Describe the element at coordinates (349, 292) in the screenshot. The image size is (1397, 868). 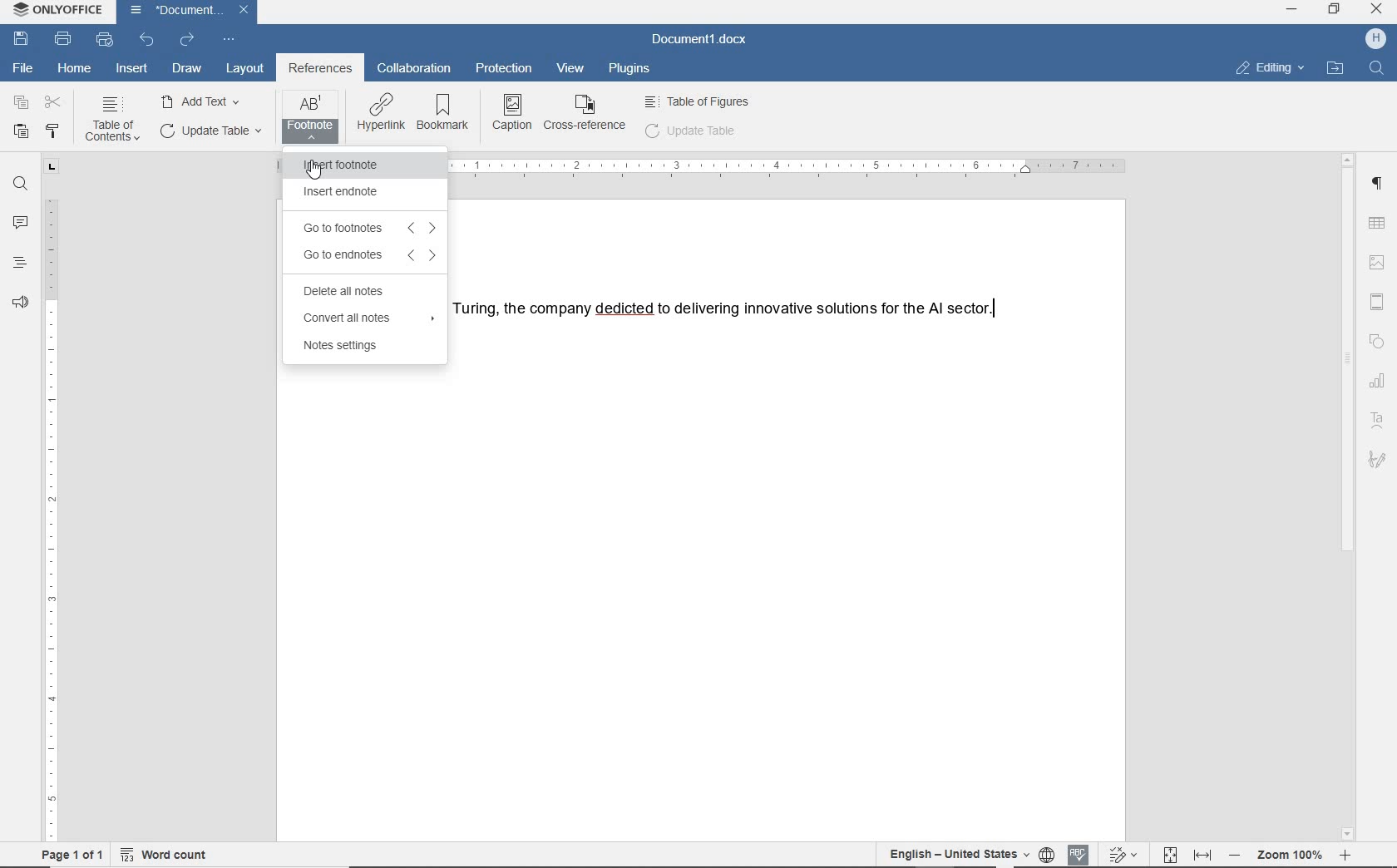
I see `delete all notes` at that location.